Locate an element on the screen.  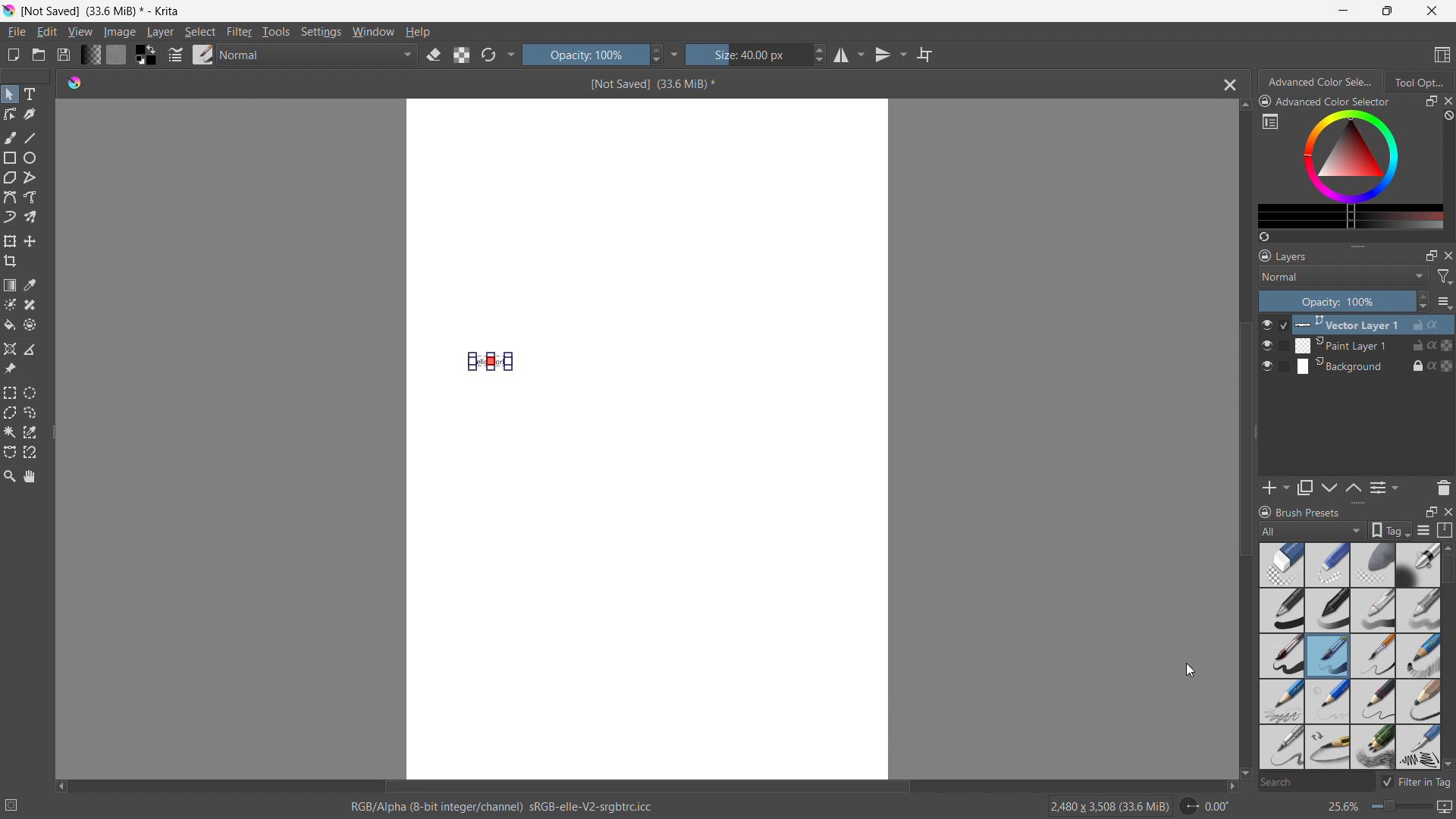
Cursor is located at coordinates (1191, 670).